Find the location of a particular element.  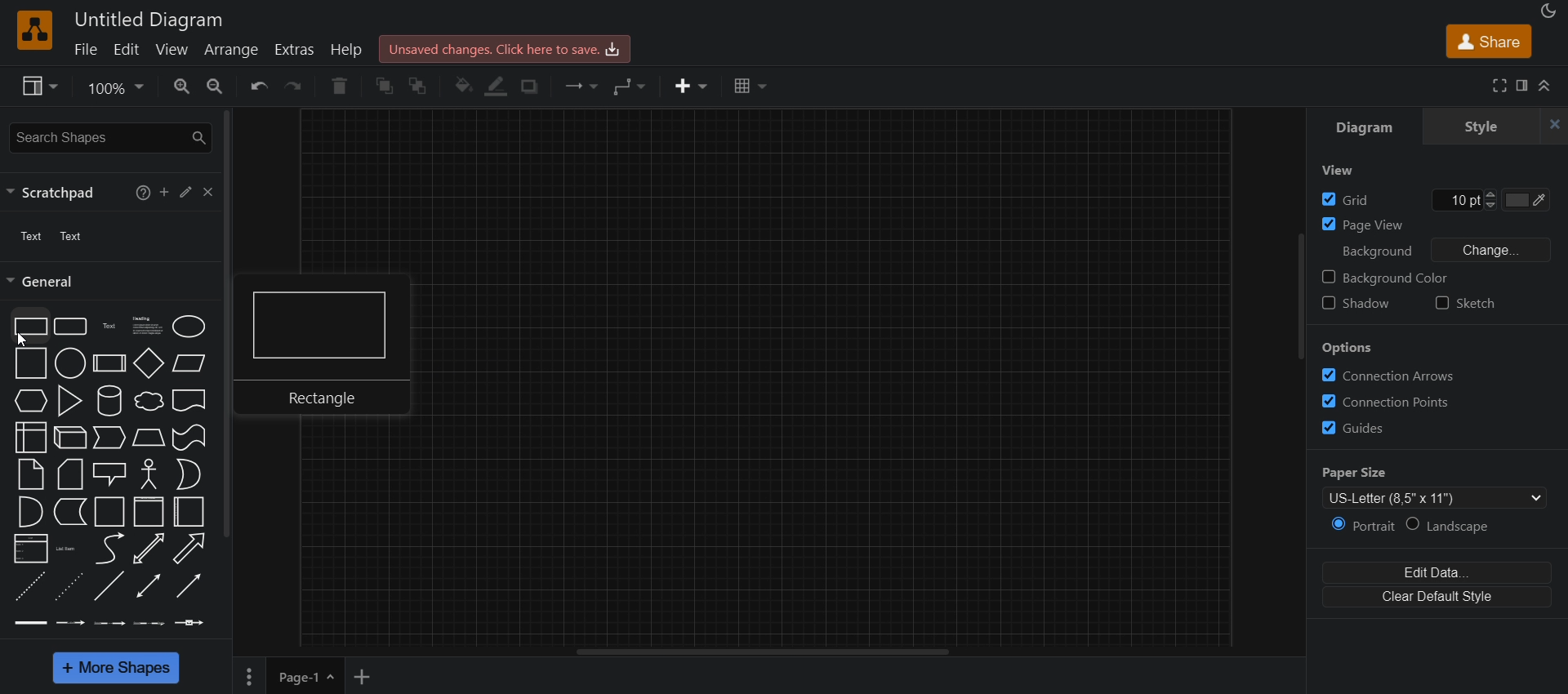

zoom out is located at coordinates (217, 85).